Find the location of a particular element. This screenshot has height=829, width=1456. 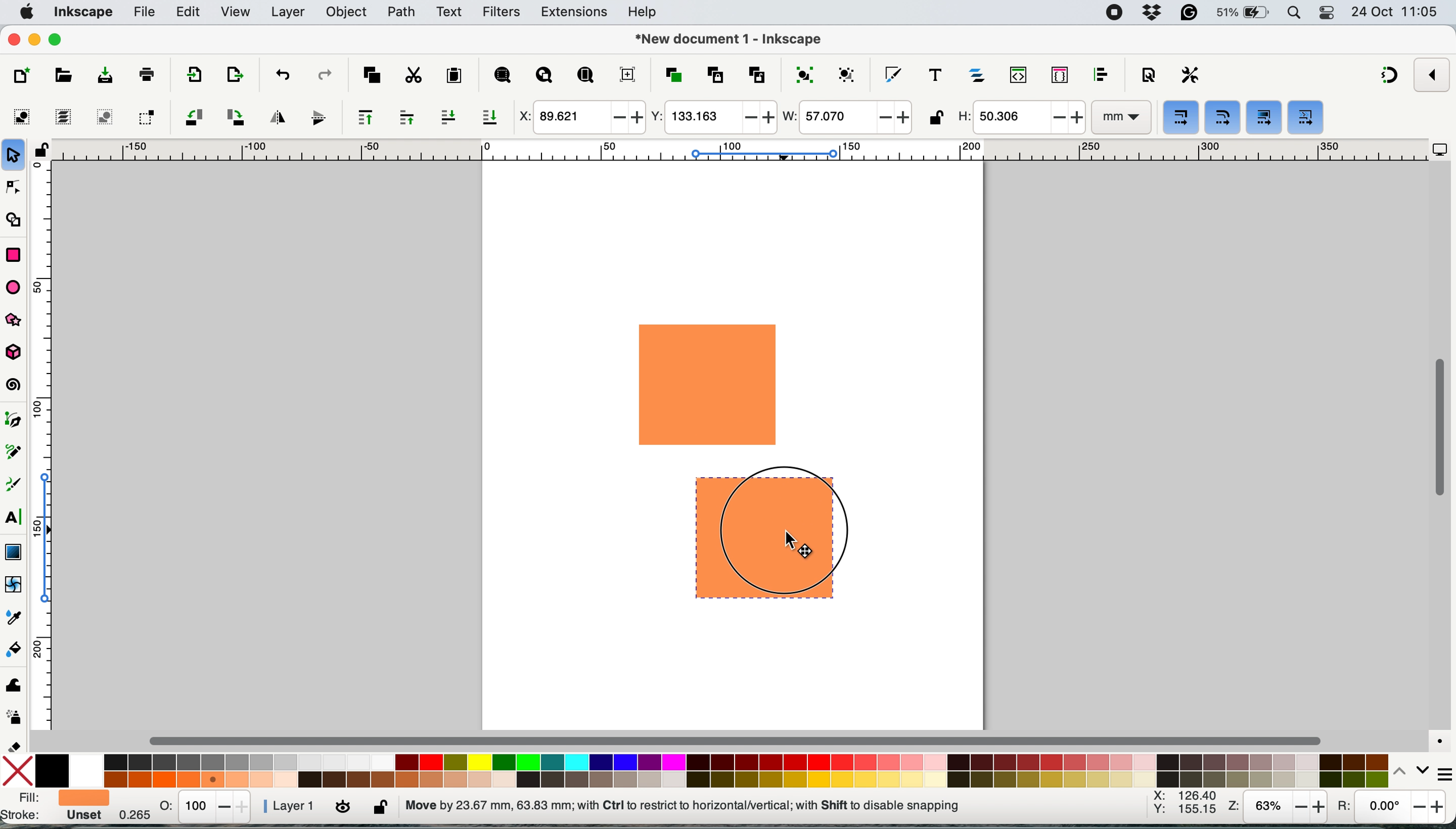

text is located at coordinates (450, 12).